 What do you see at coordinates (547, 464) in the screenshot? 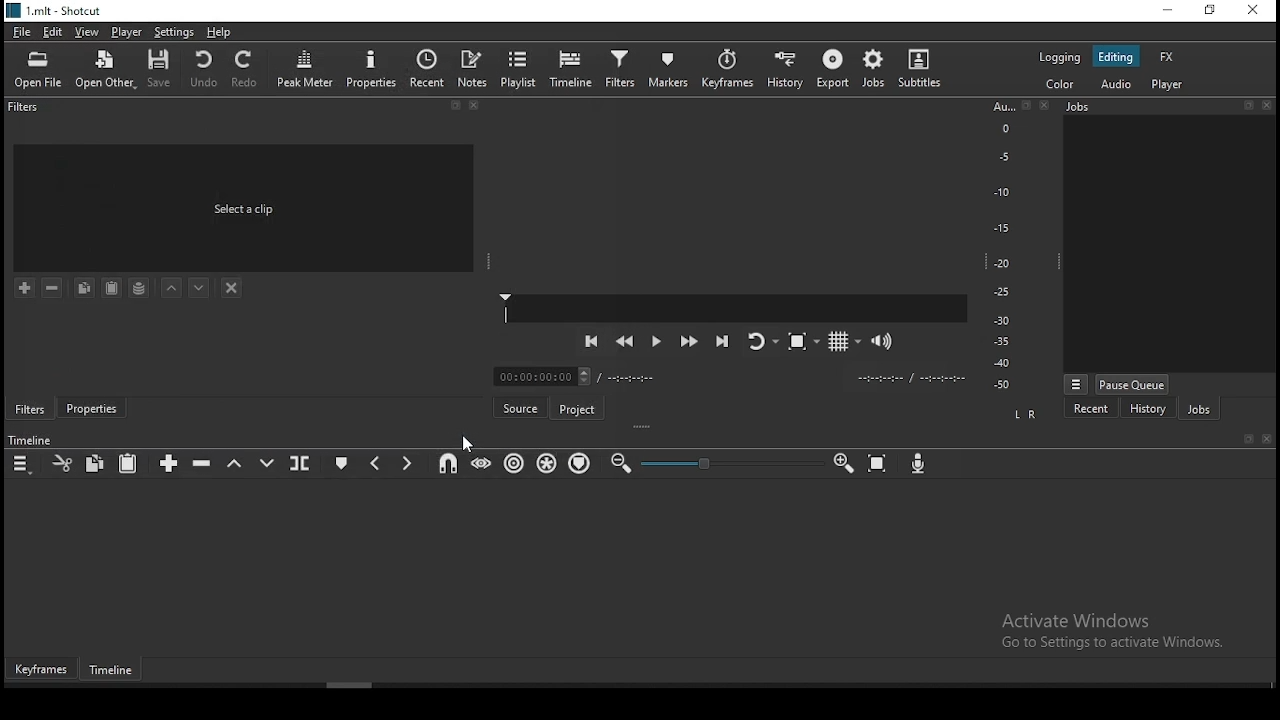
I see `ripple all tracks` at bounding box center [547, 464].